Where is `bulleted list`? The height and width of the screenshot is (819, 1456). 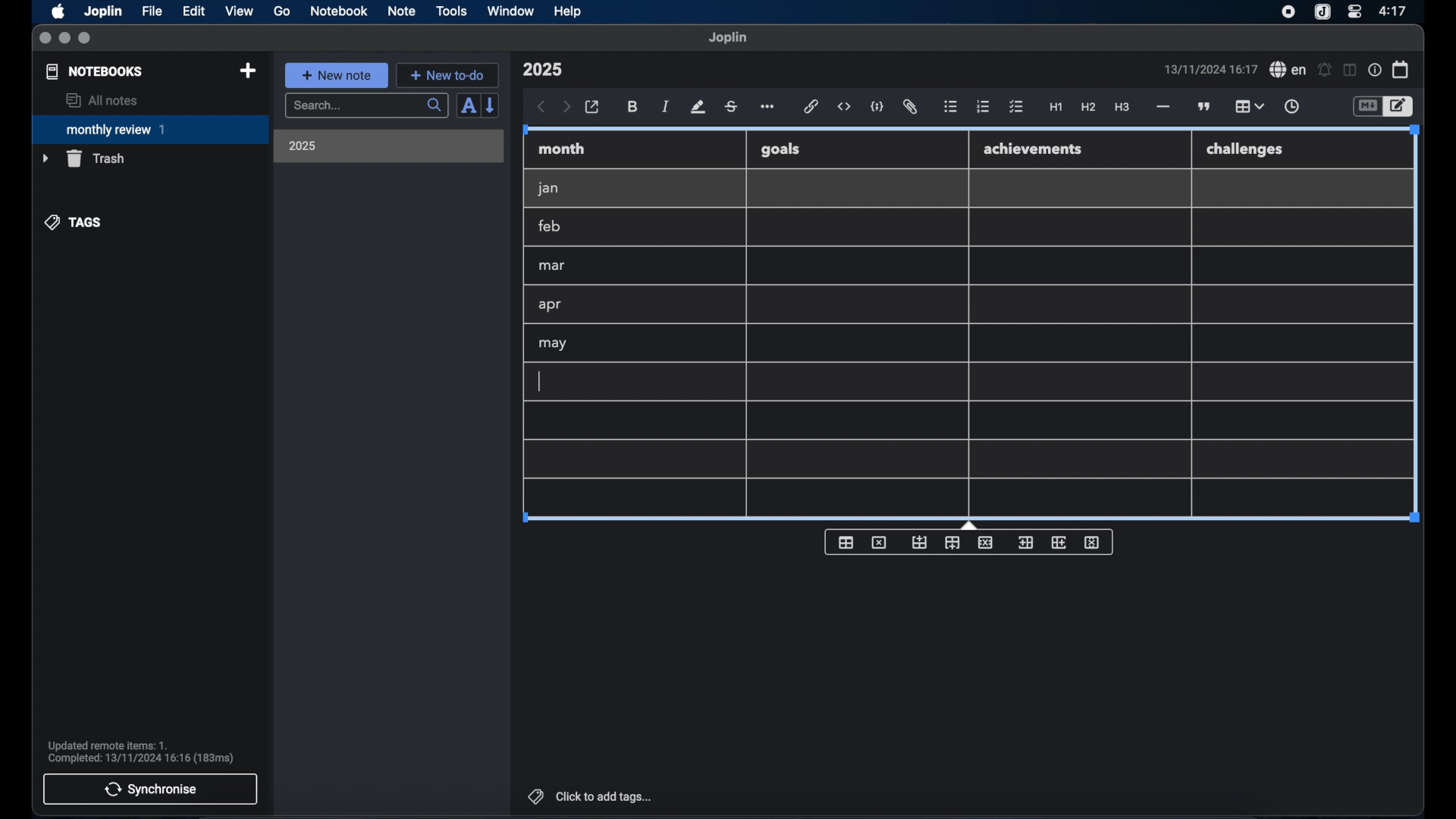 bulleted list is located at coordinates (950, 107).